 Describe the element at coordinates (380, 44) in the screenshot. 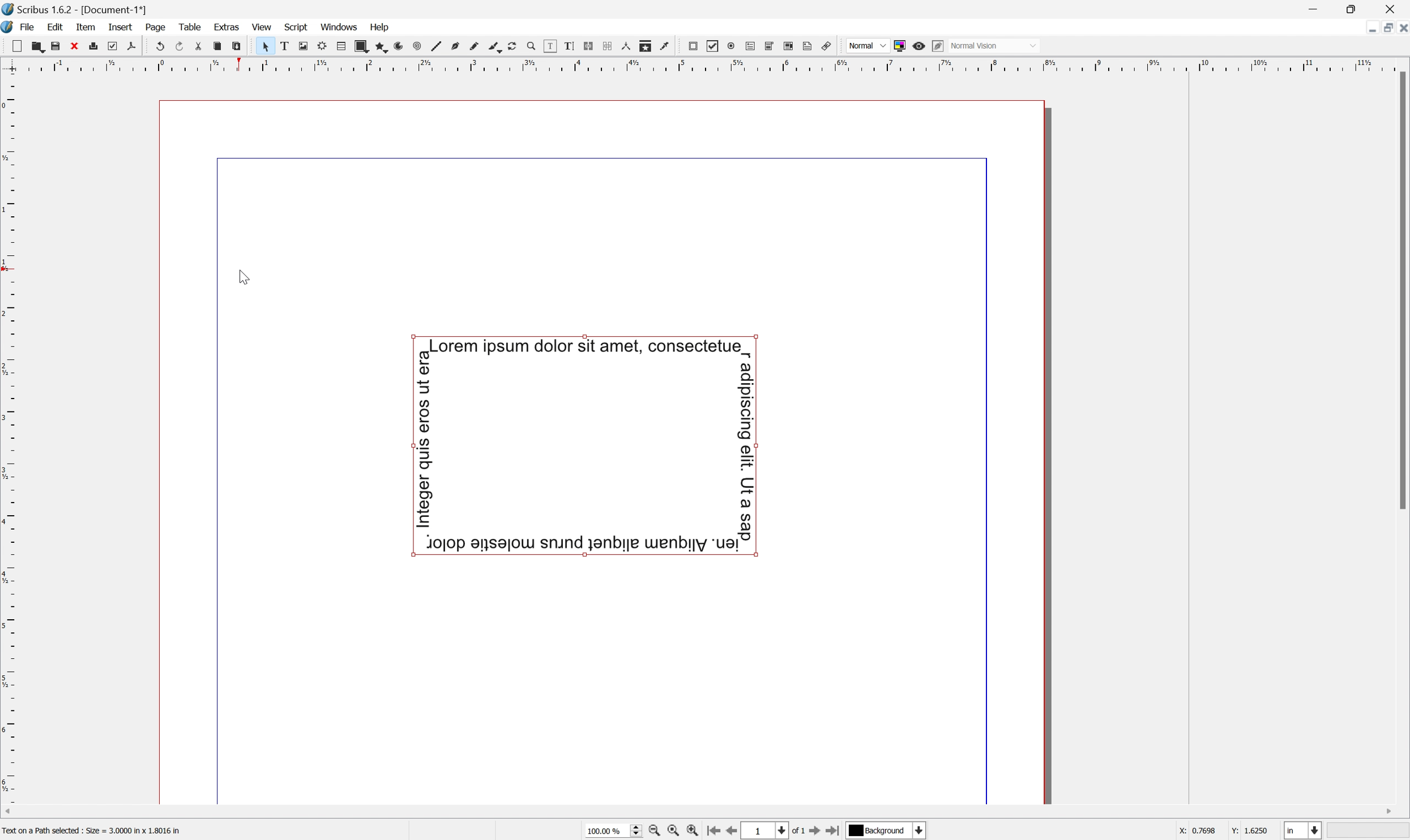

I see `Polygon` at that location.